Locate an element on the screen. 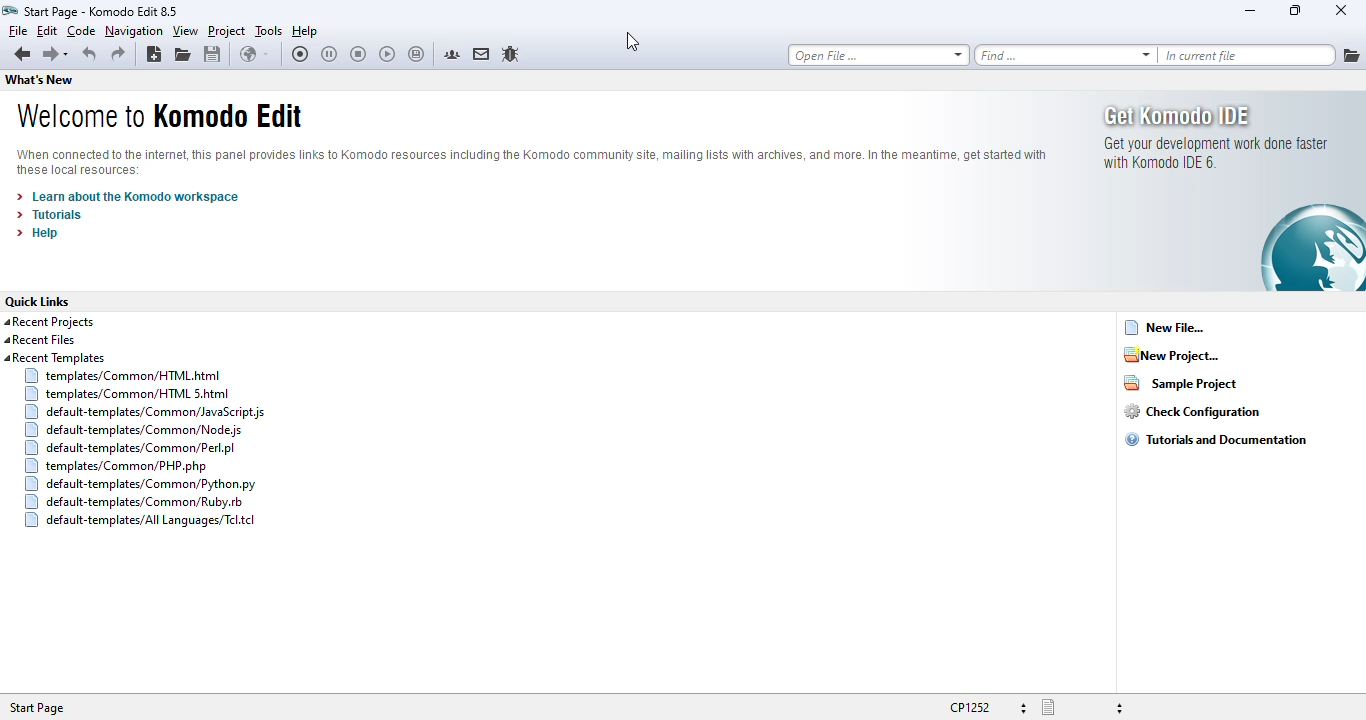 The width and height of the screenshot is (1366, 720). open file is located at coordinates (183, 54).